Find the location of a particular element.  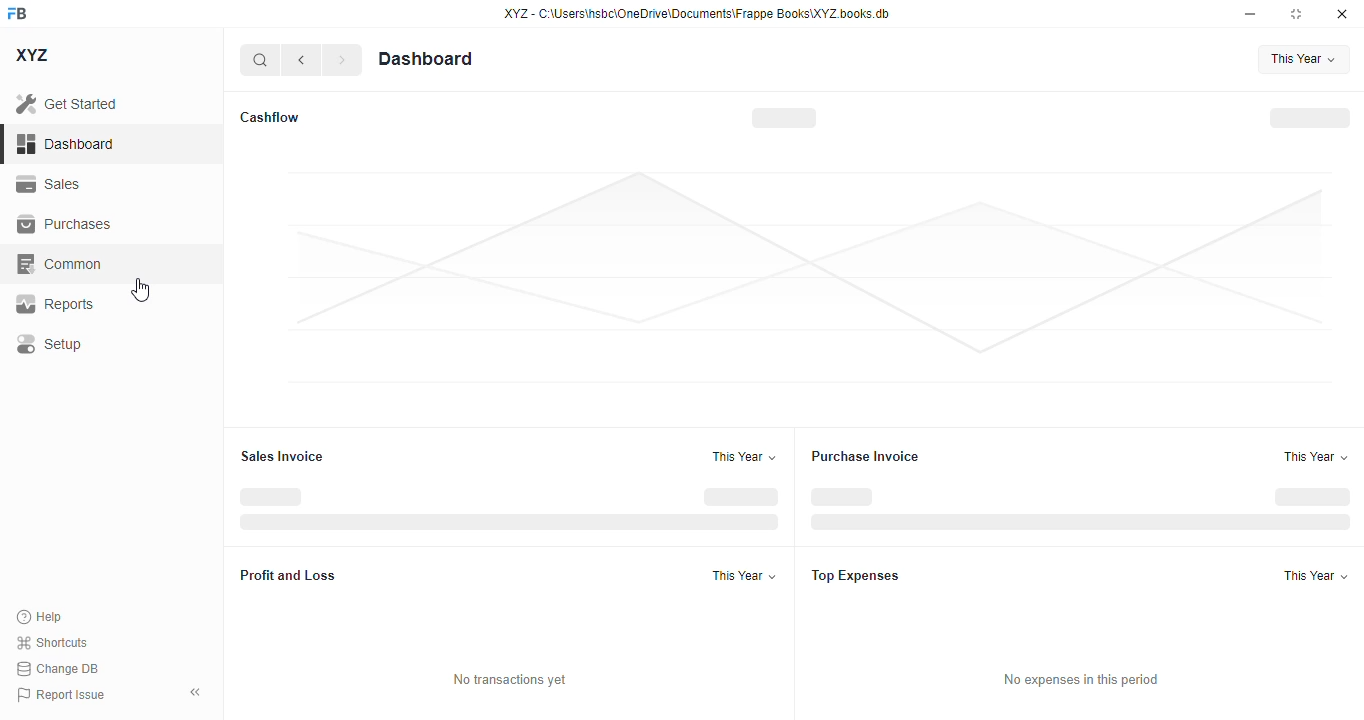

cashflow is located at coordinates (271, 117).